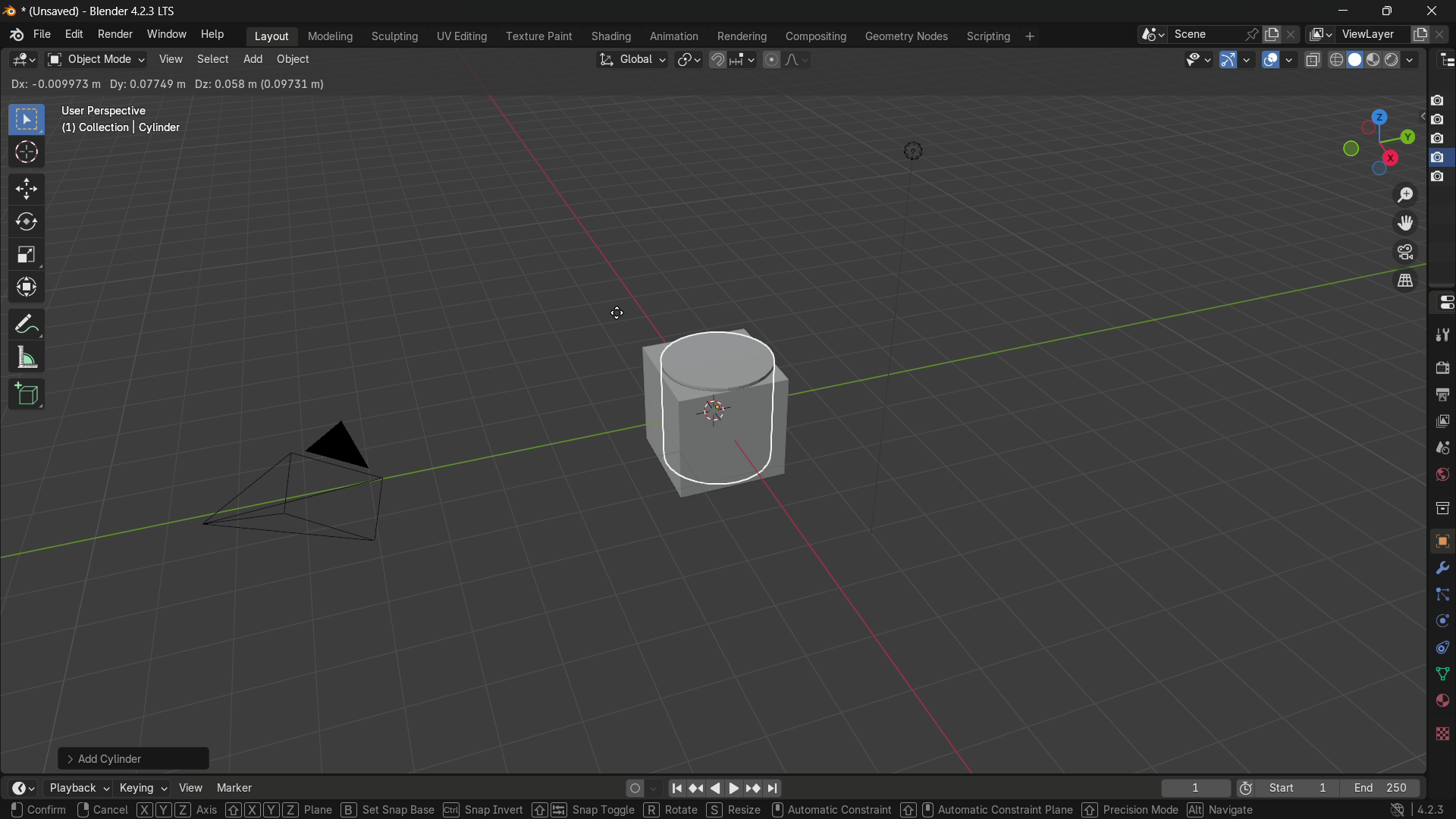 The image size is (1456, 819). What do you see at coordinates (1444, 569) in the screenshot?
I see `settings` at bounding box center [1444, 569].